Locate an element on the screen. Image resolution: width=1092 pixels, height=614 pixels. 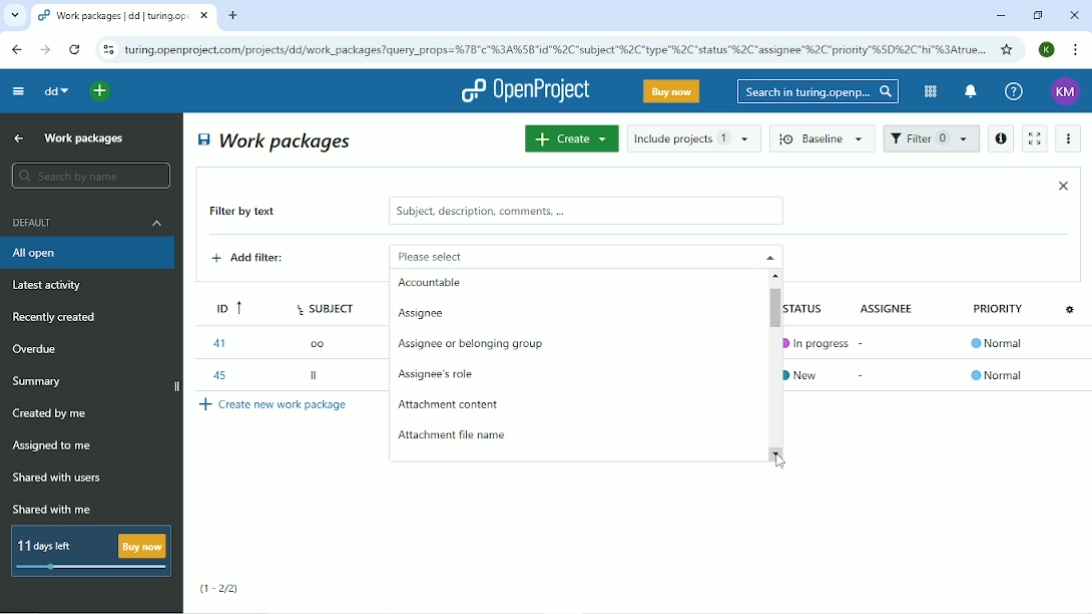
Assigned to me is located at coordinates (53, 446).